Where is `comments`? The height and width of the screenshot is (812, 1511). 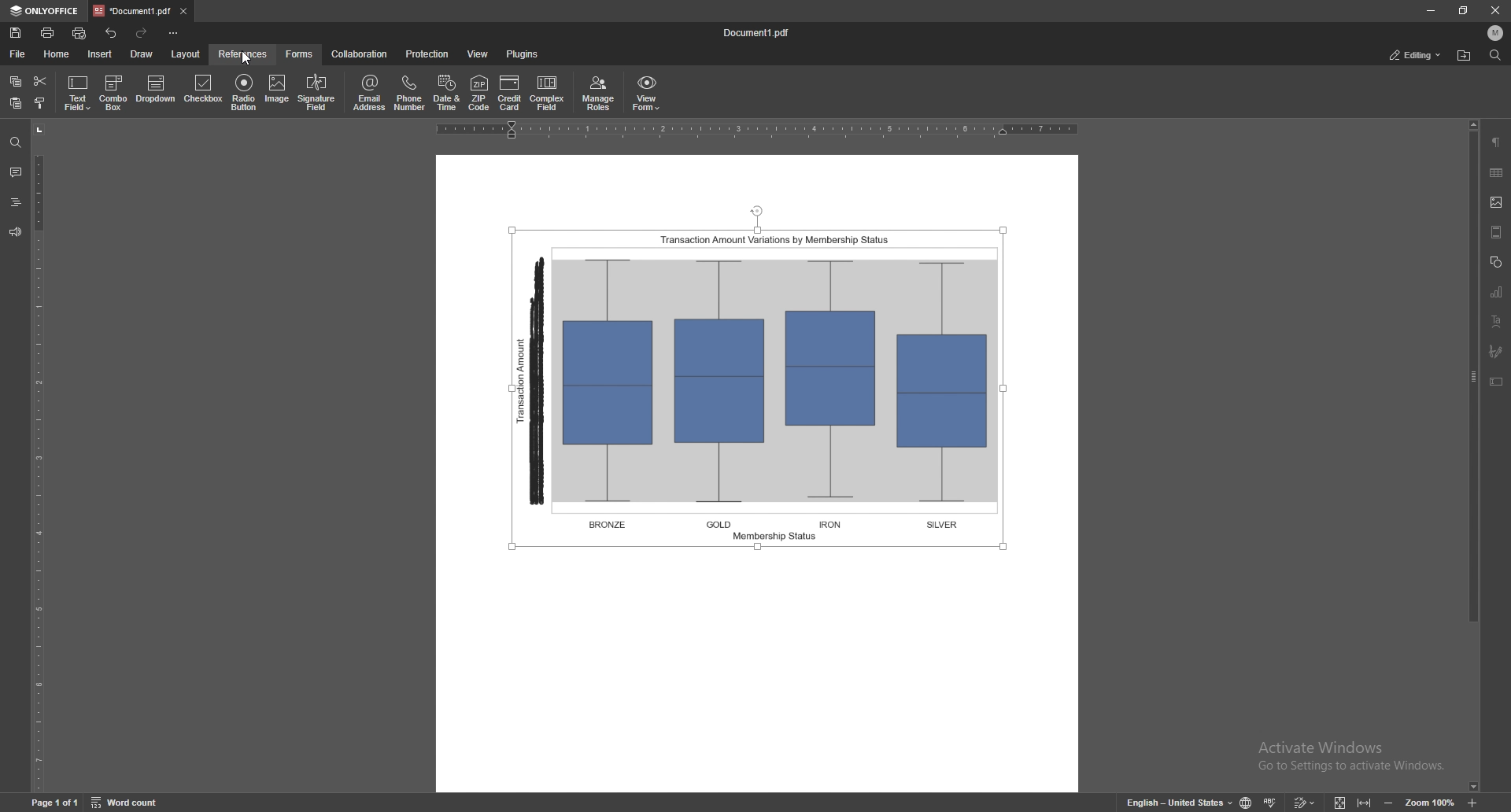
comments is located at coordinates (14, 171).